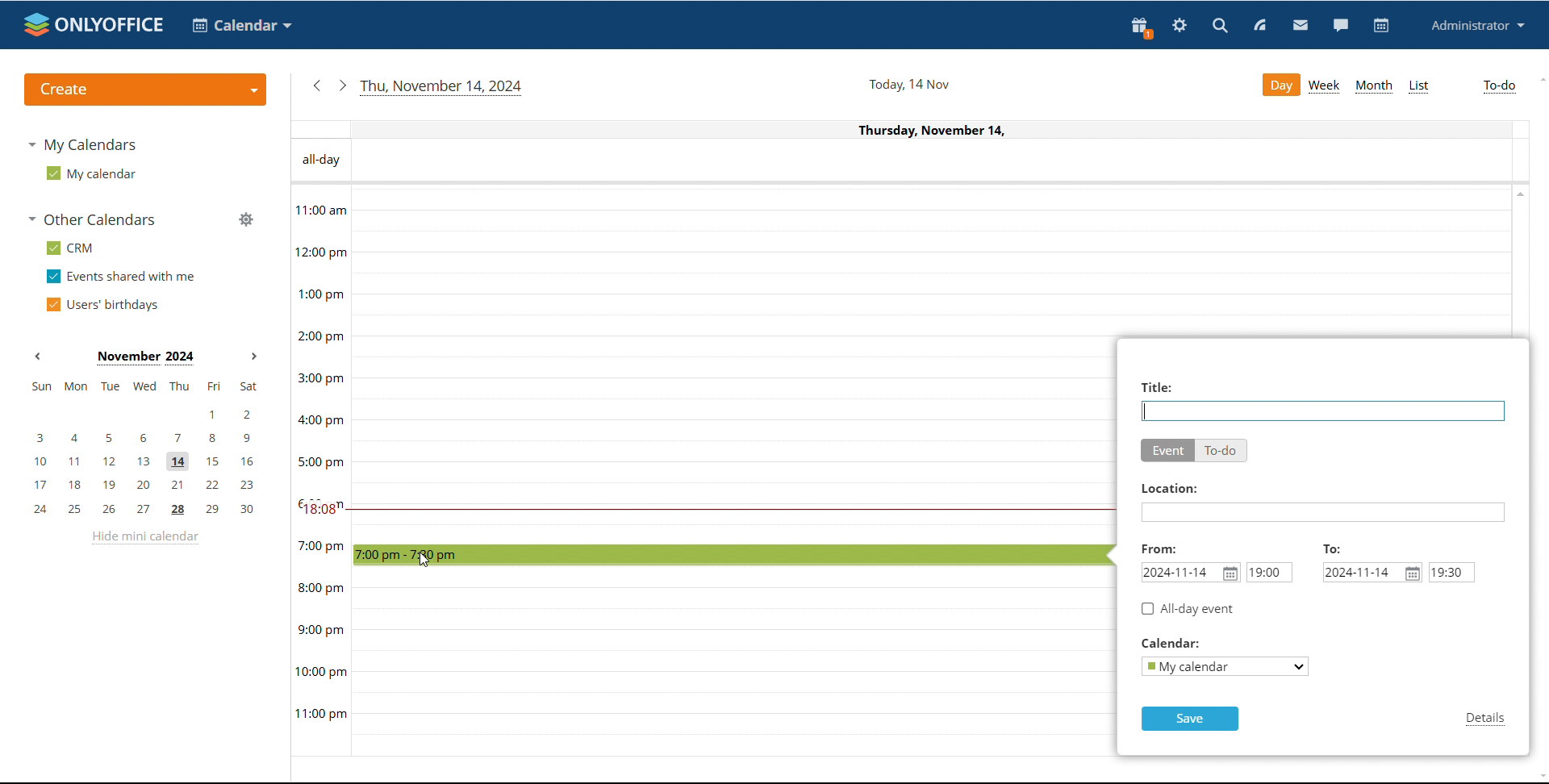 The height and width of the screenshot is (784, 1549). I want to click on profile, so click(1476, 26).